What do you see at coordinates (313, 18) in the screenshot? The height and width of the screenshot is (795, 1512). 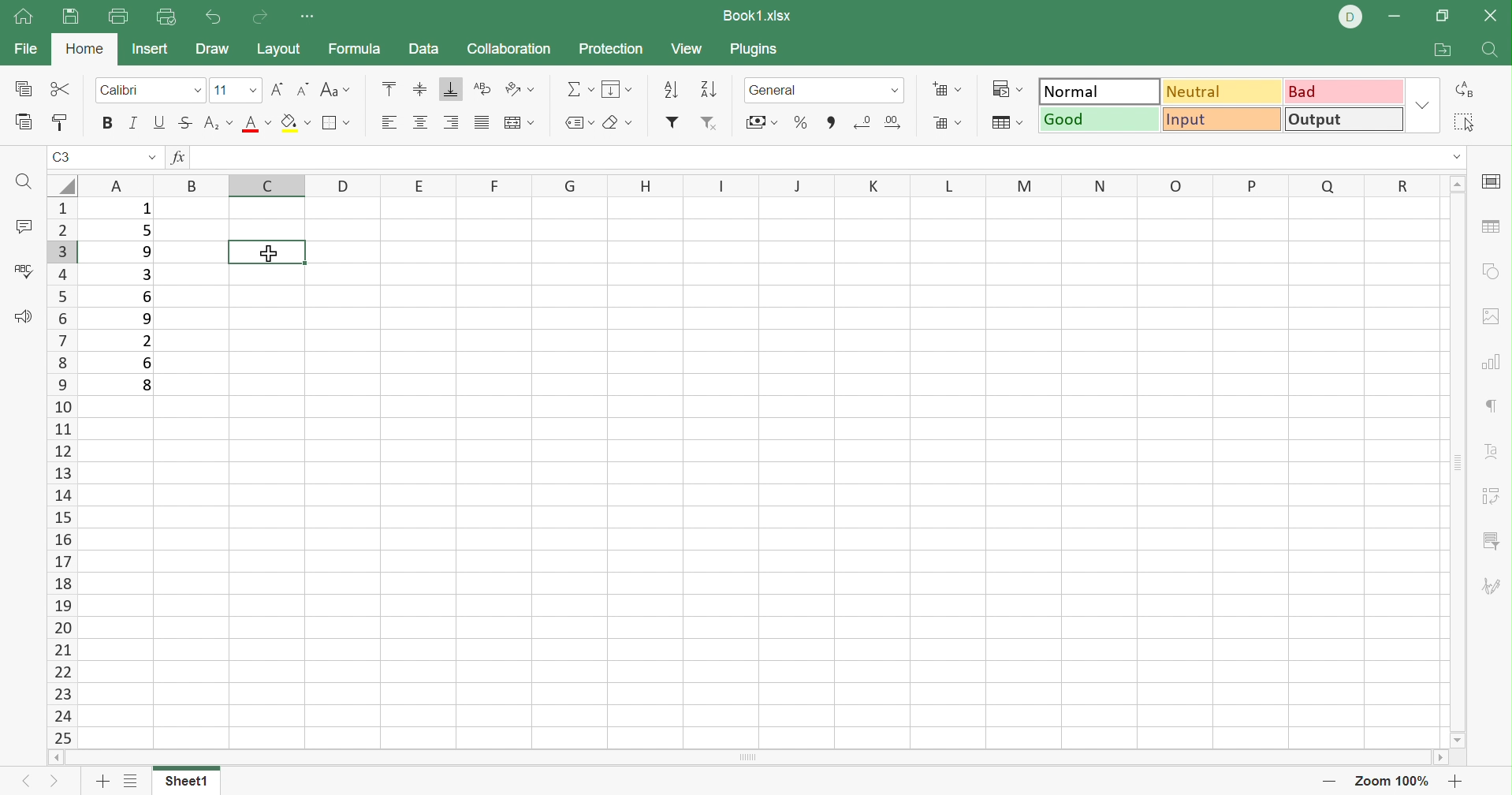 I see `Customize quick access toolbar` at bounding box center [313, 18].